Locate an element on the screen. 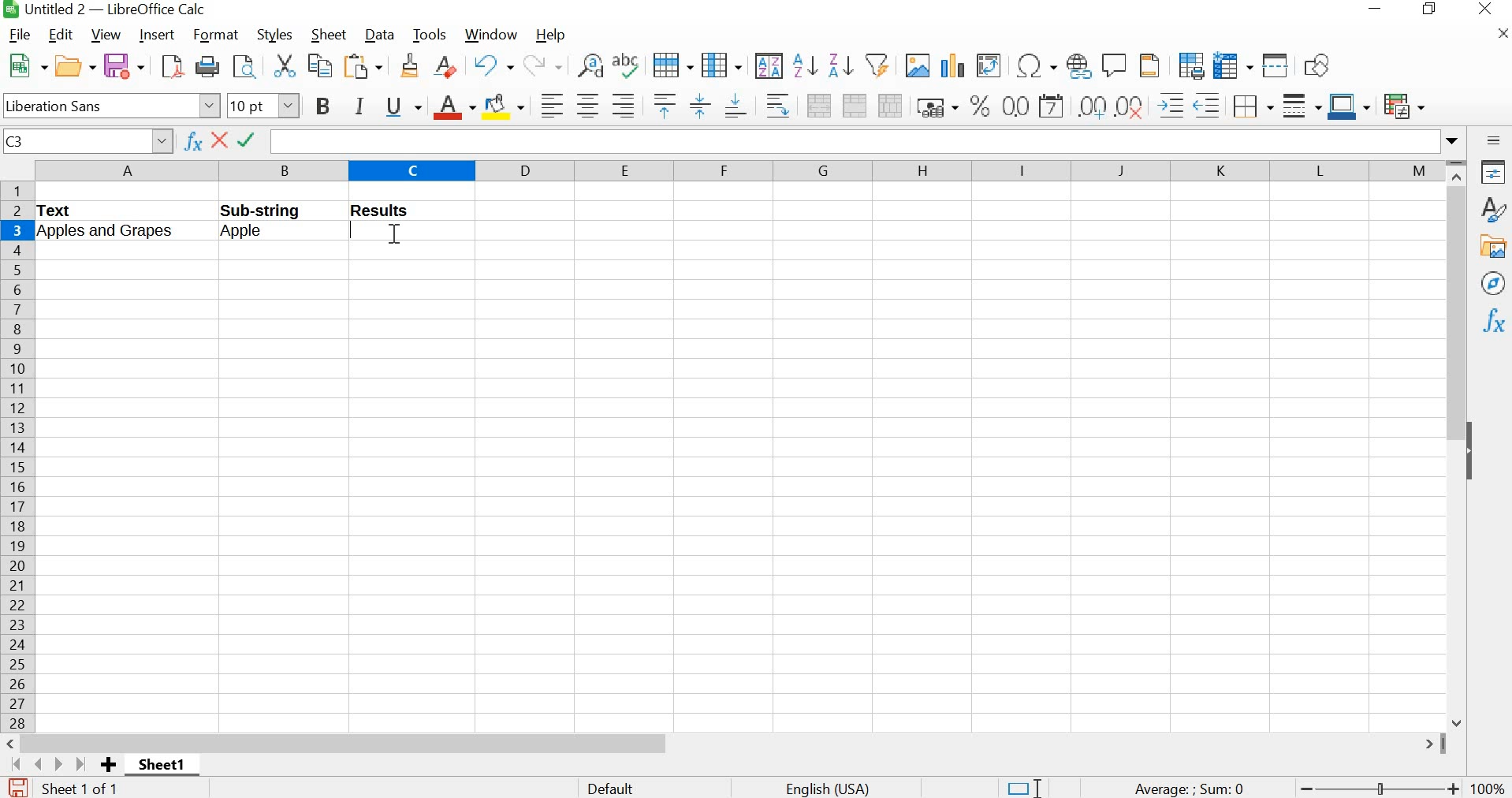 This screenshot has height=798, width=1512. cut is located at coordinates (283, 65).